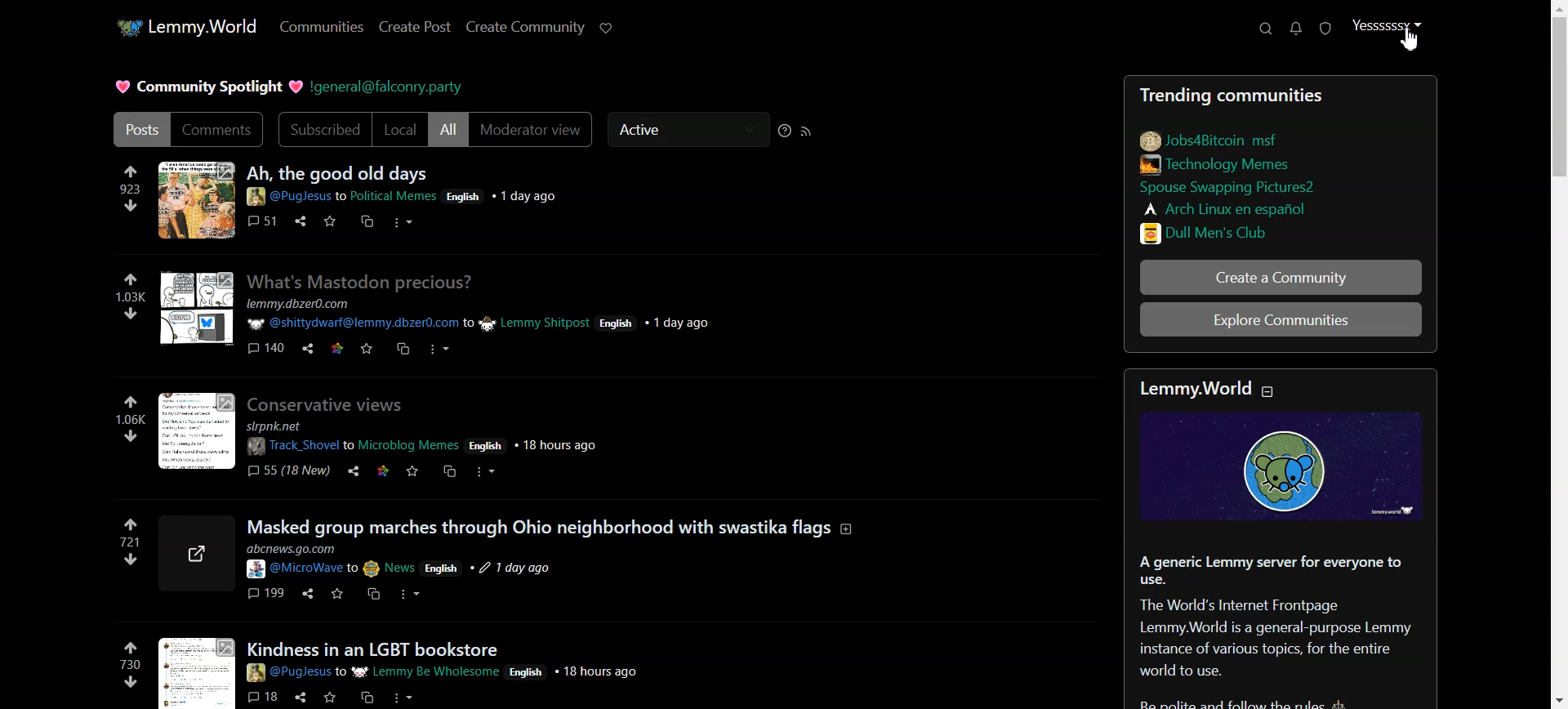 The height and width of the screenshot is (709, 1568). I want to click on link, so click(1213, 232).